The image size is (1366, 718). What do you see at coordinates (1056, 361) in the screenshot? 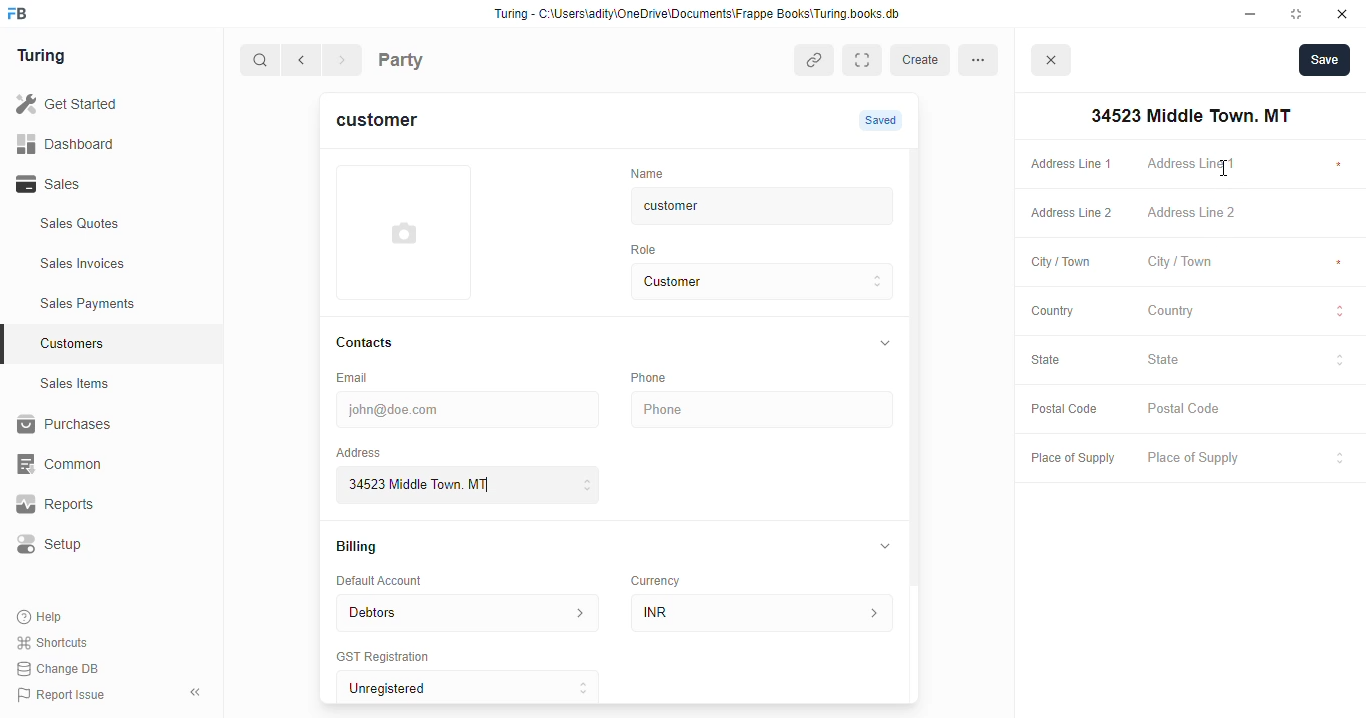
I see `State` at bounding box center [1056, 361].